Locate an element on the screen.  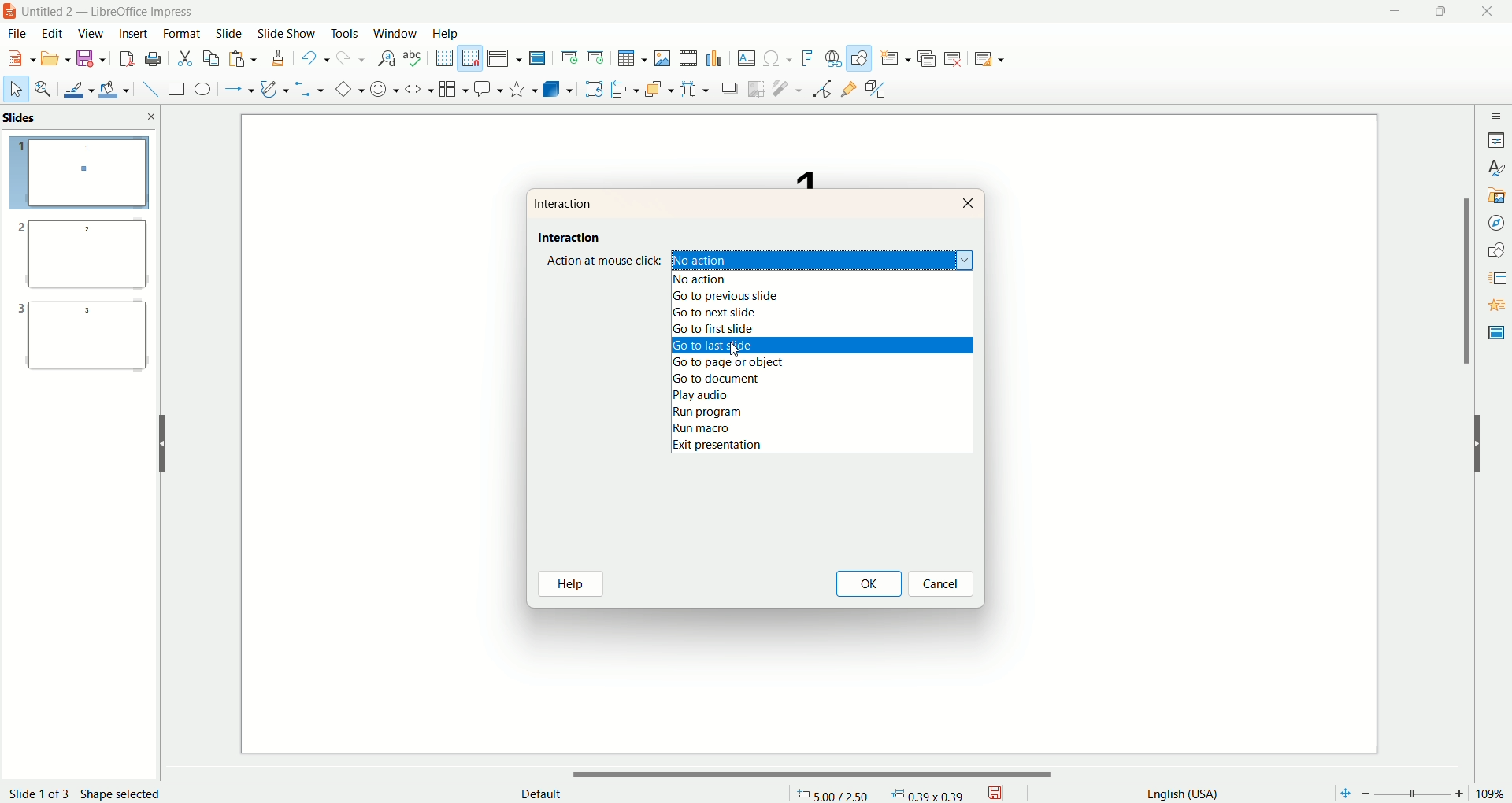
fit page to current window is located at coordinates (1340, 794).